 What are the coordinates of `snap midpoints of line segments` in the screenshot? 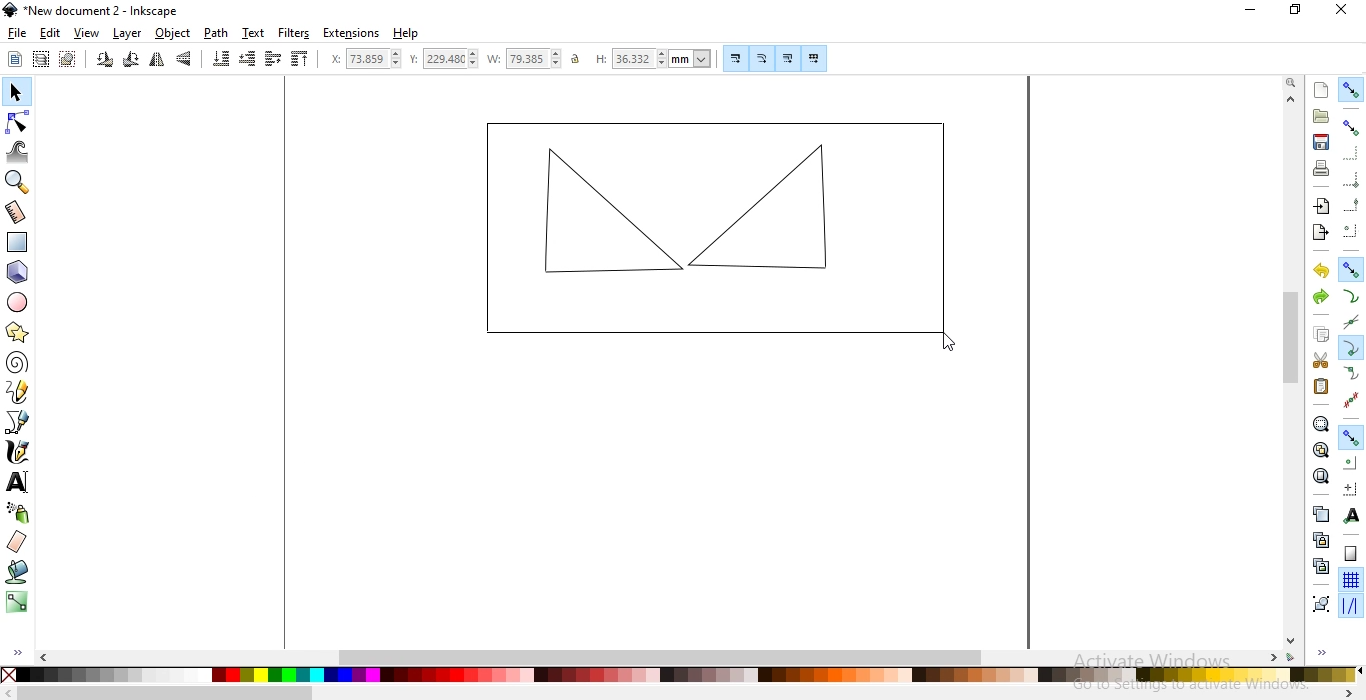 It's located at (1350, 397).